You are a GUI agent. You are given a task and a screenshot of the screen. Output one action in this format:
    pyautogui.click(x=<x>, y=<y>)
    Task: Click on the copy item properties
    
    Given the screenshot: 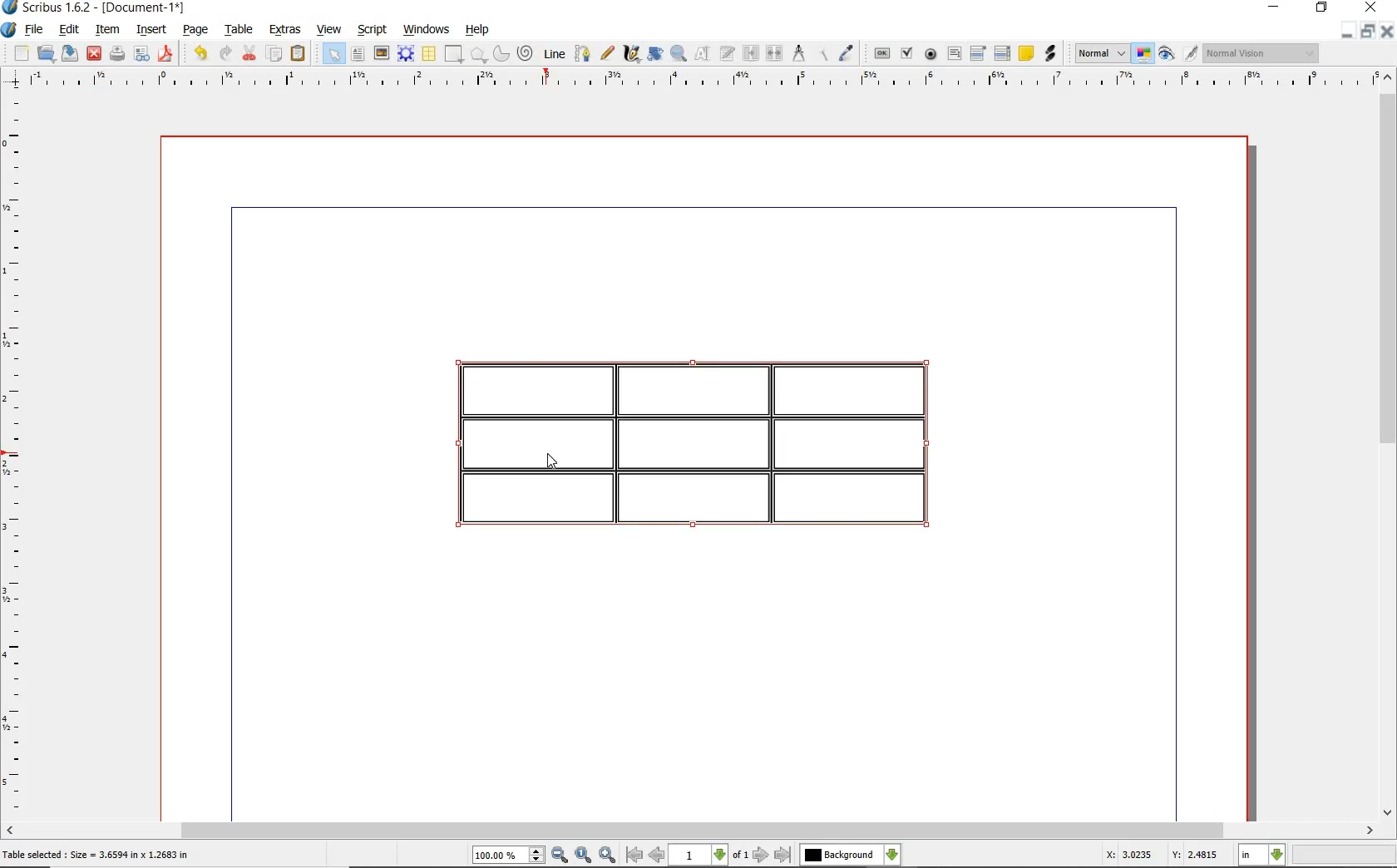 What is the action you would take?
    pyautogui.click(x=827, y=53)
    